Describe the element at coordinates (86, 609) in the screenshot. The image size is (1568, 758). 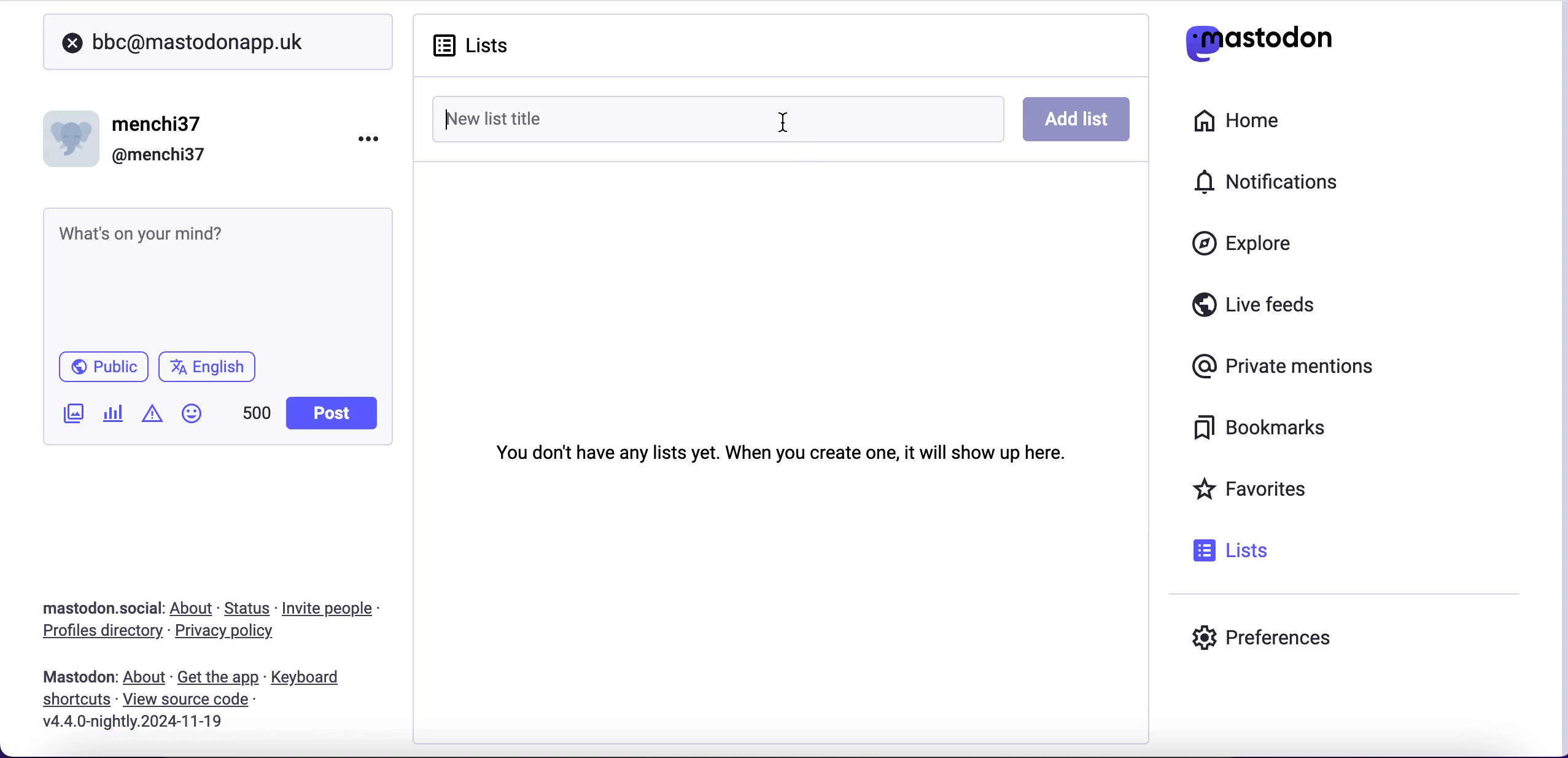
I see `mastodon social` at that location.